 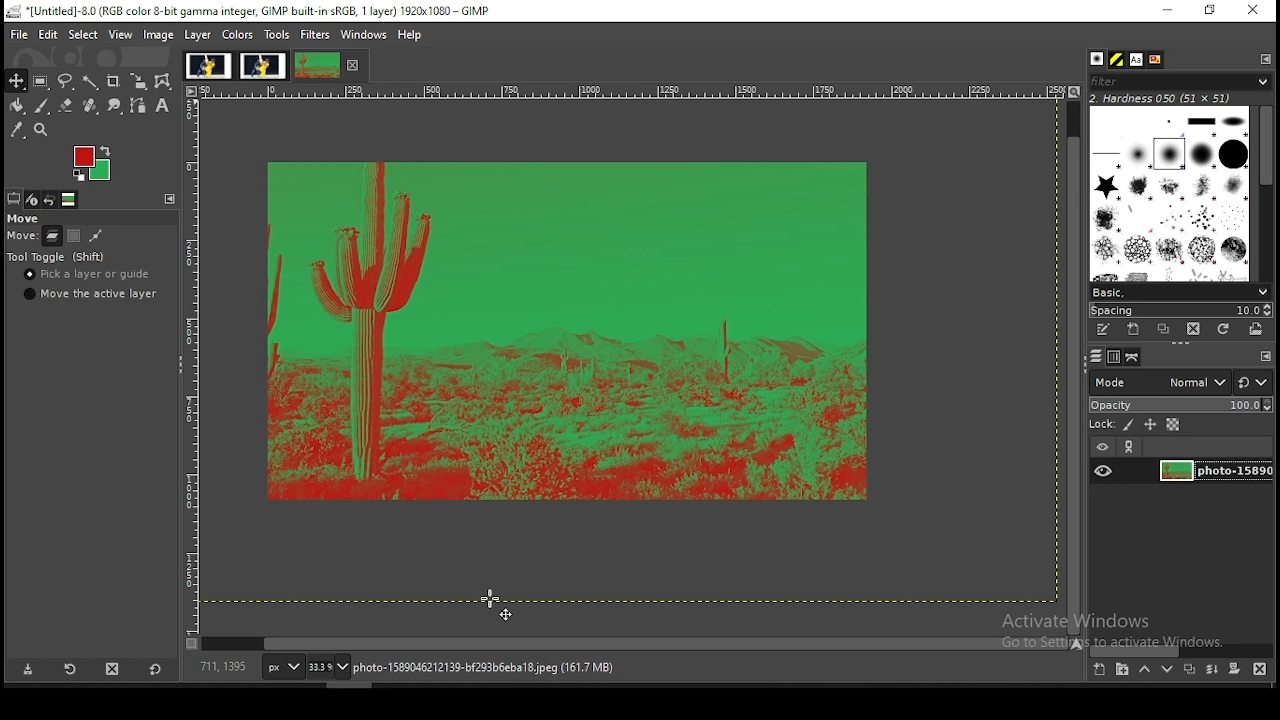 I want to click on , so click(x=504, y=667).